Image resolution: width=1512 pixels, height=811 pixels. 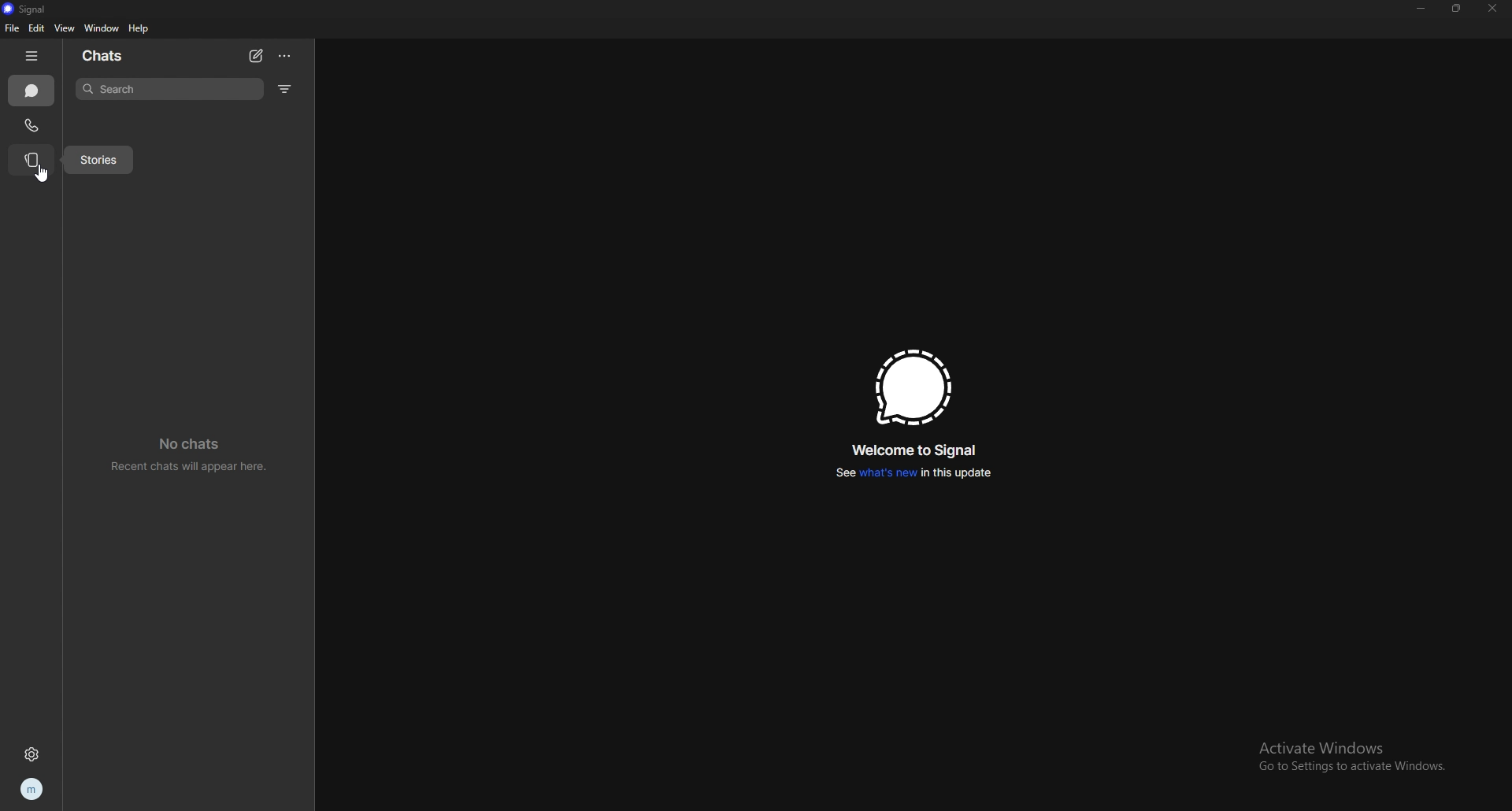 I want to click on see whats new in this update, so click(x=910, y=475).